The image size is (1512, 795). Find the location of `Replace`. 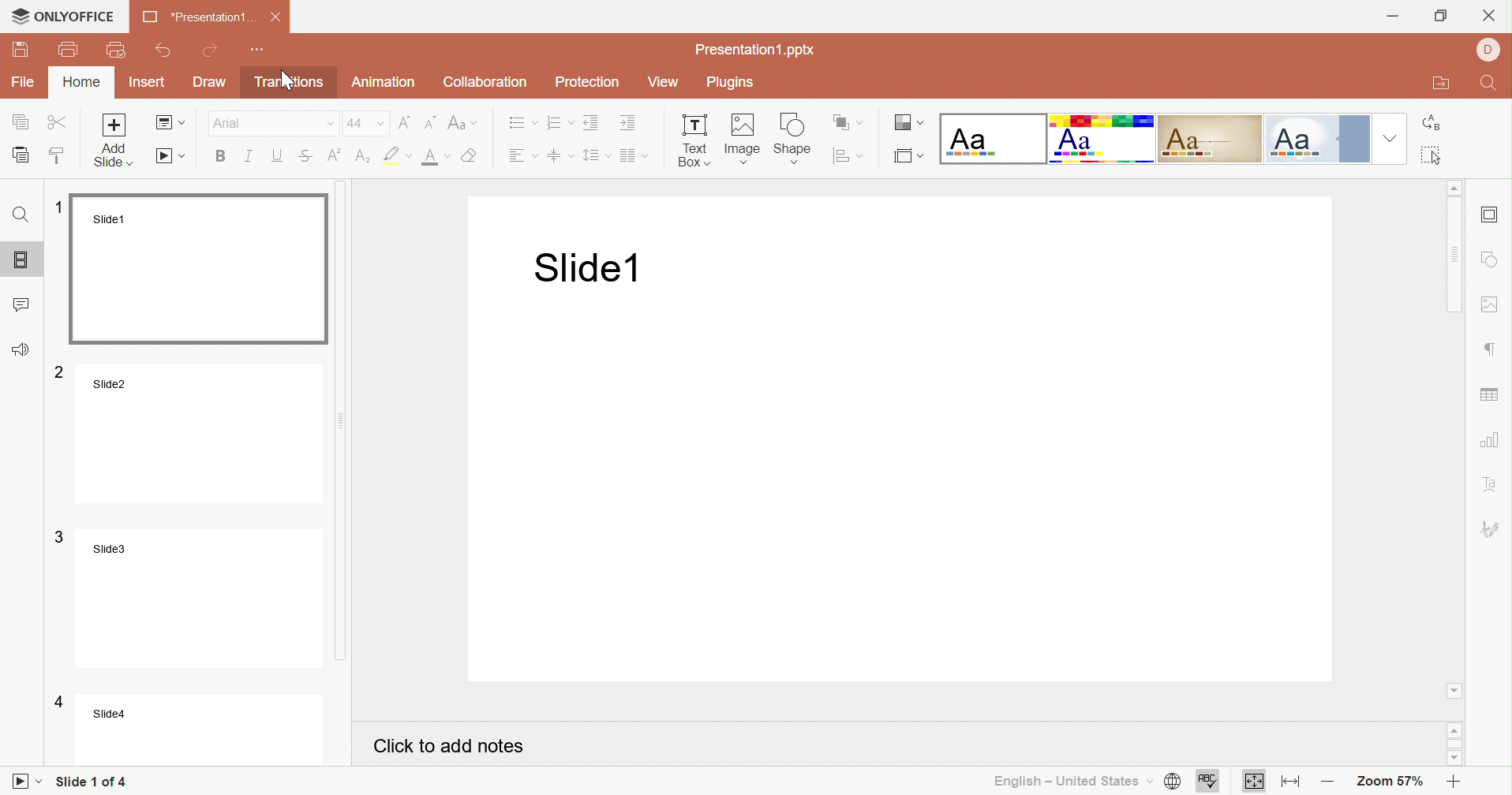

Replace is located at coordinates (1435, 124).